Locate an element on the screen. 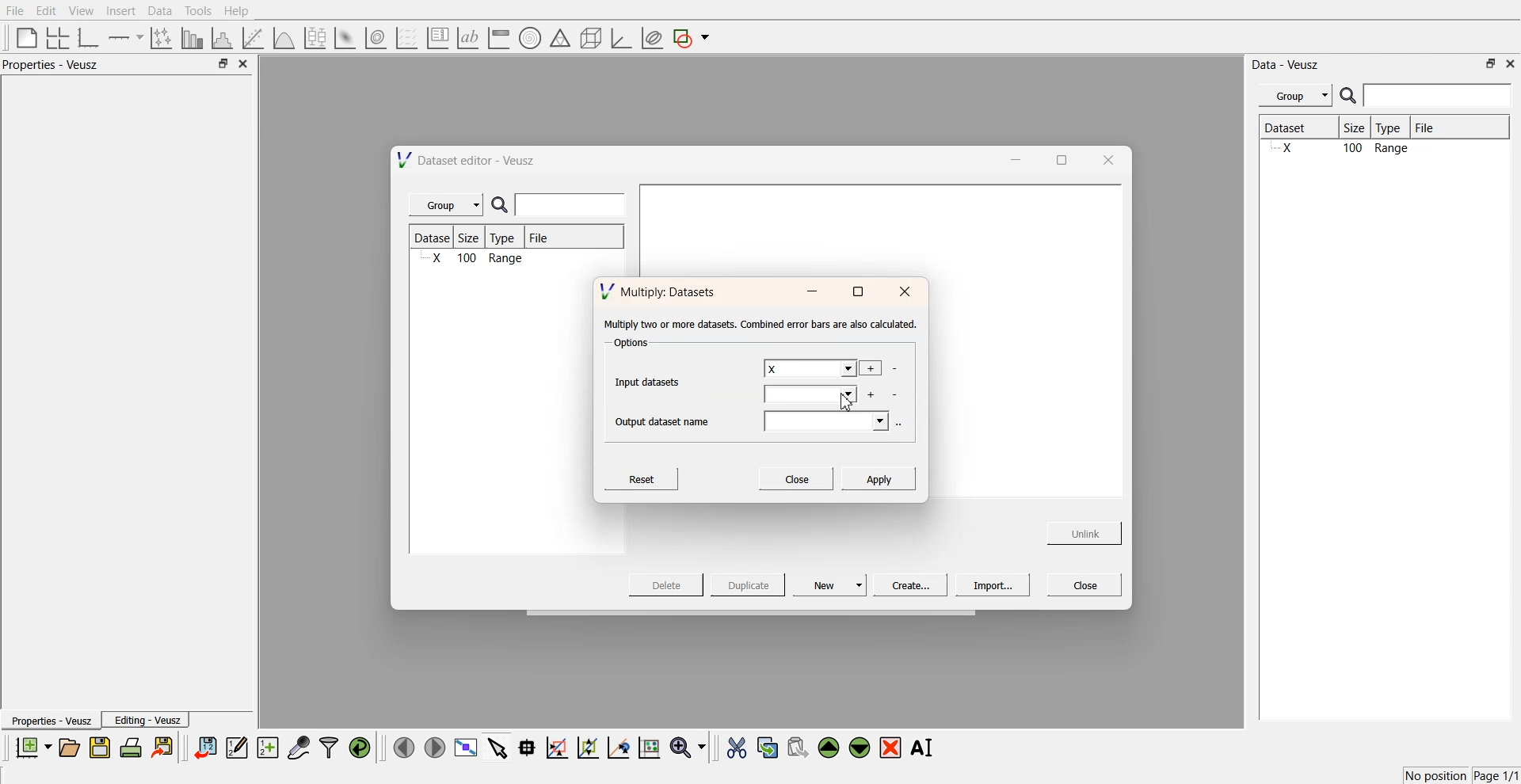 The image size is (1521, 784). move  the selected widgets down is located at coordinates (860, 746).